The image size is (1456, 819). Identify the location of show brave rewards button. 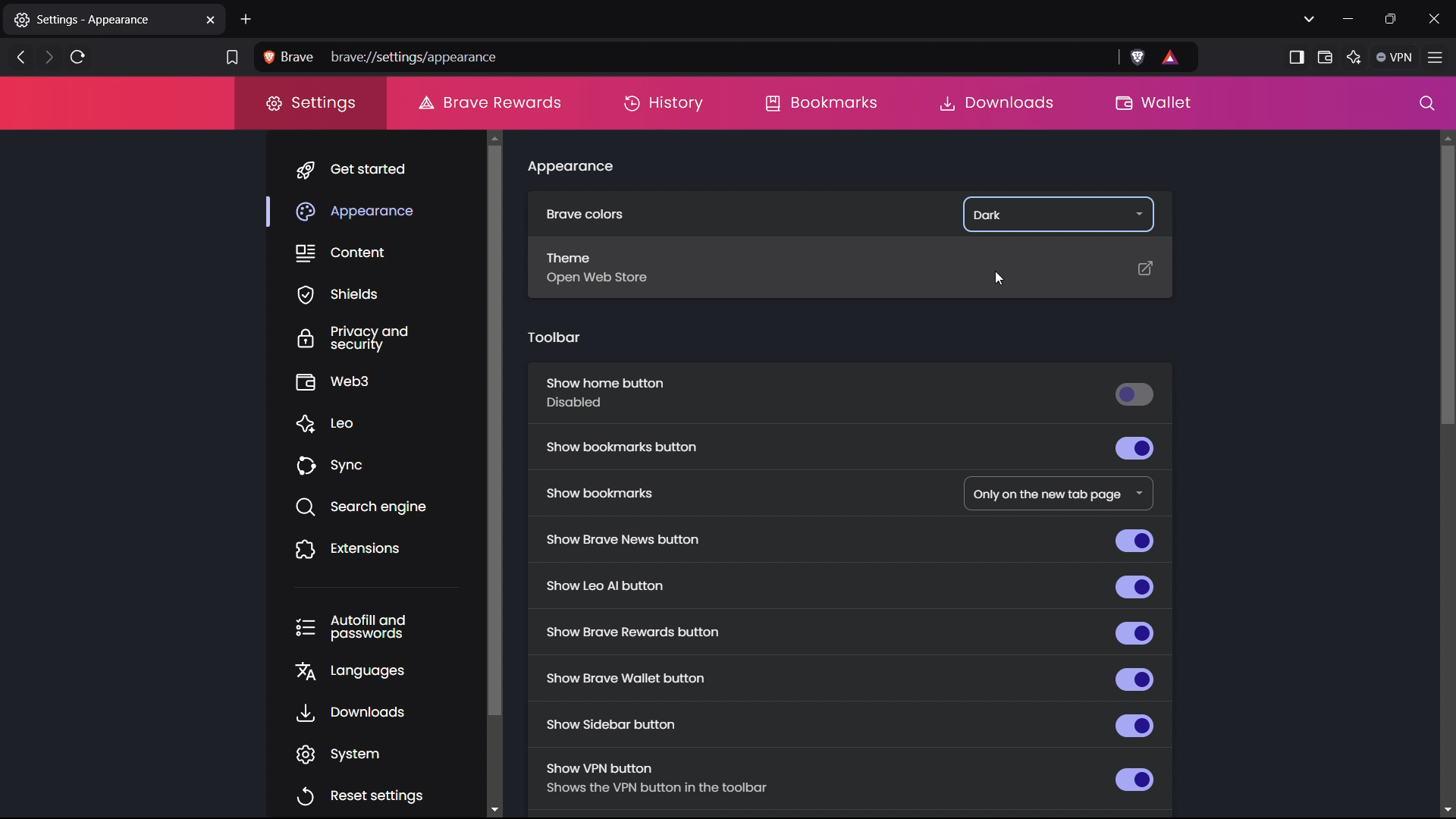
(846, 632).